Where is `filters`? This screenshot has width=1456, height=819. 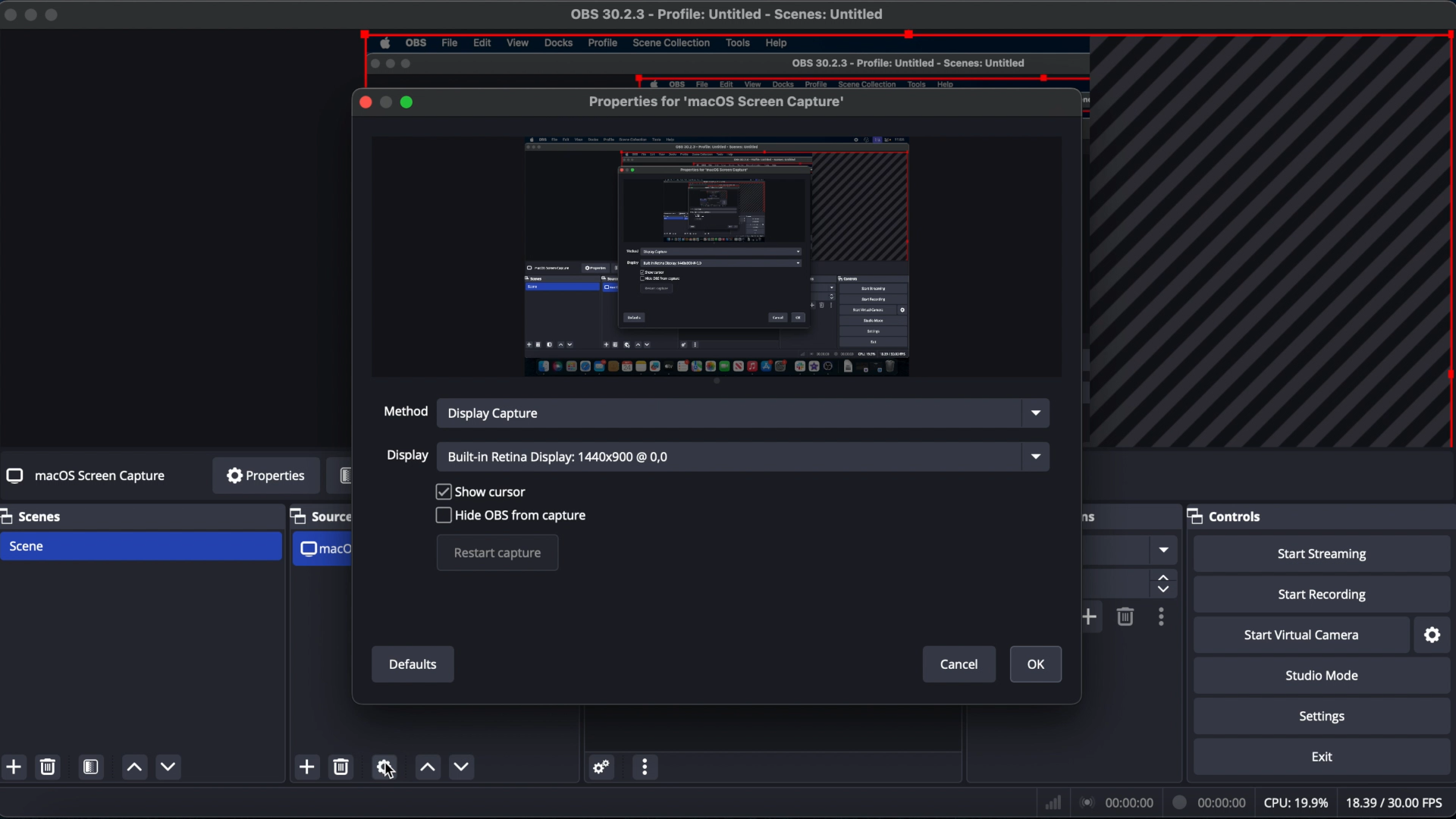
filters is located at coordinates (338, 476).